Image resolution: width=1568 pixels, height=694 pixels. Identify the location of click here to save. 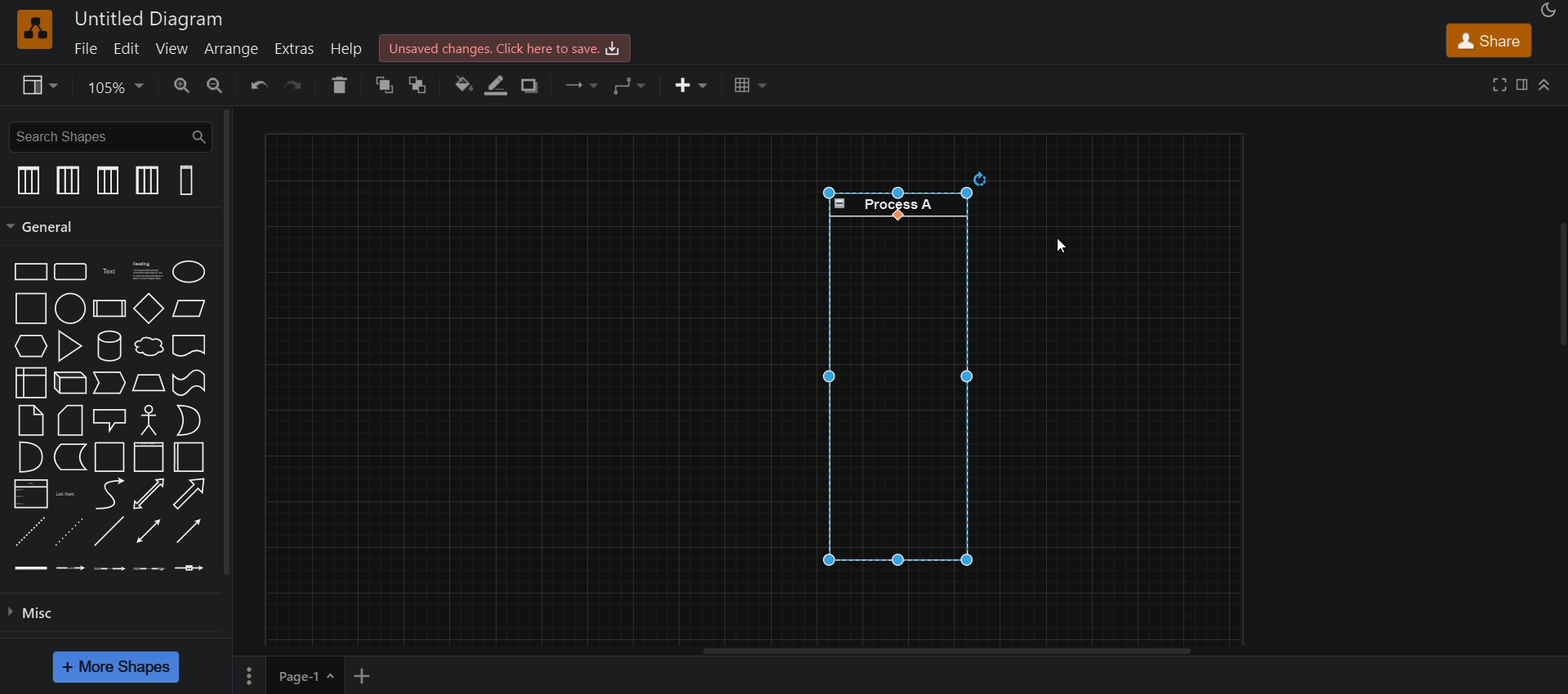
(505, 47).